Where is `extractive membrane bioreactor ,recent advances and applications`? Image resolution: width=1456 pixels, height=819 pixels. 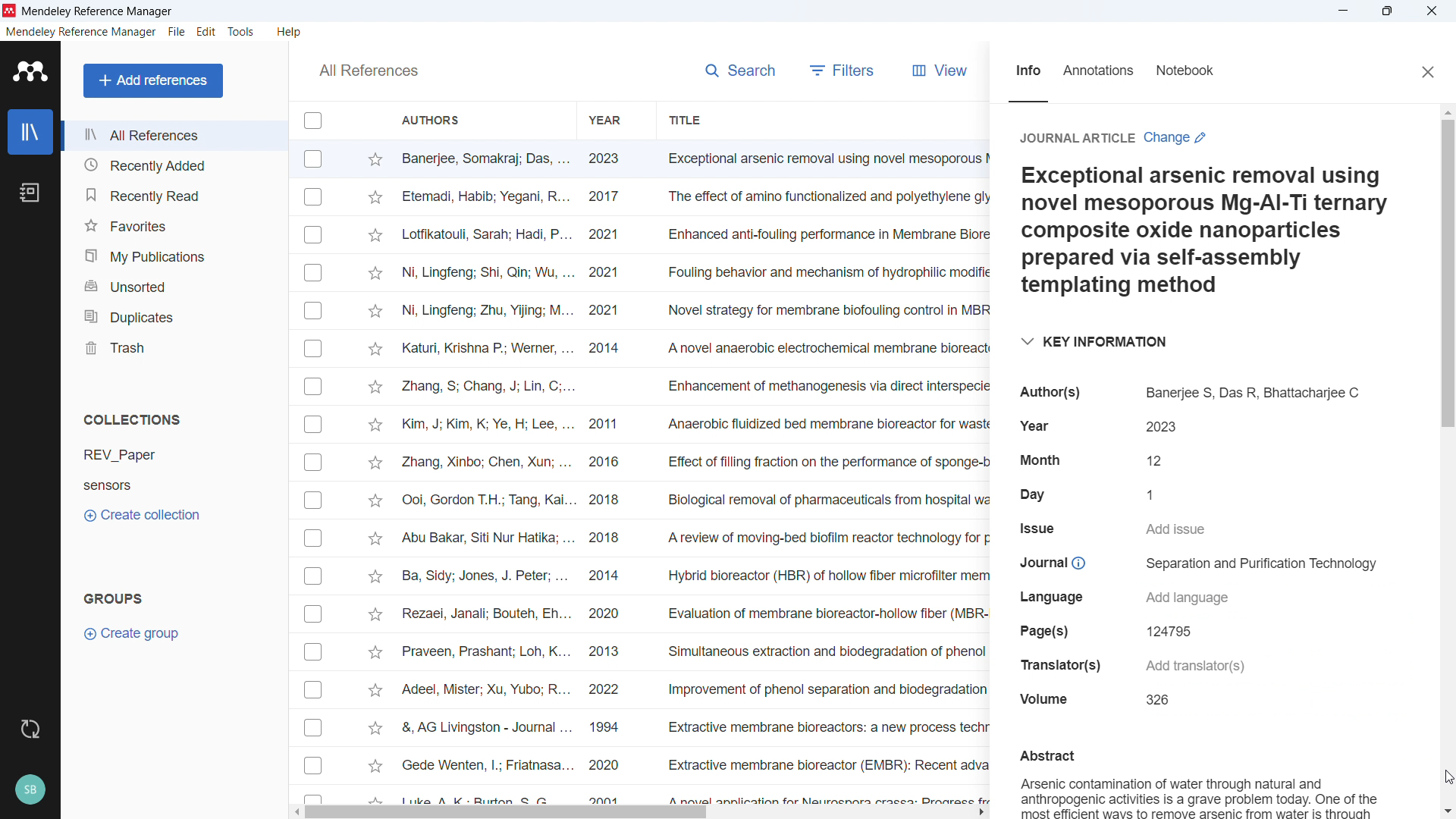 extractive membrane bioreactor ,recent advances and applications is located at coordinates (824, 767).